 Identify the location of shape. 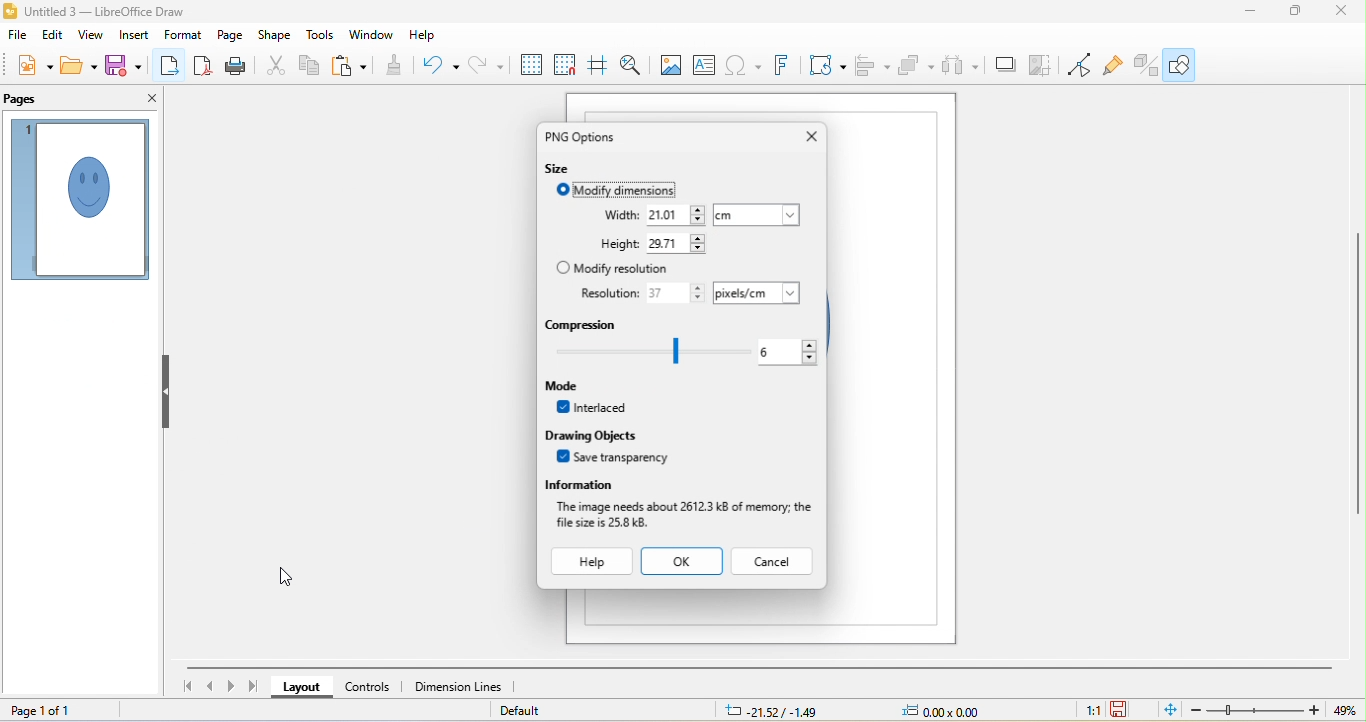
(273, 36).